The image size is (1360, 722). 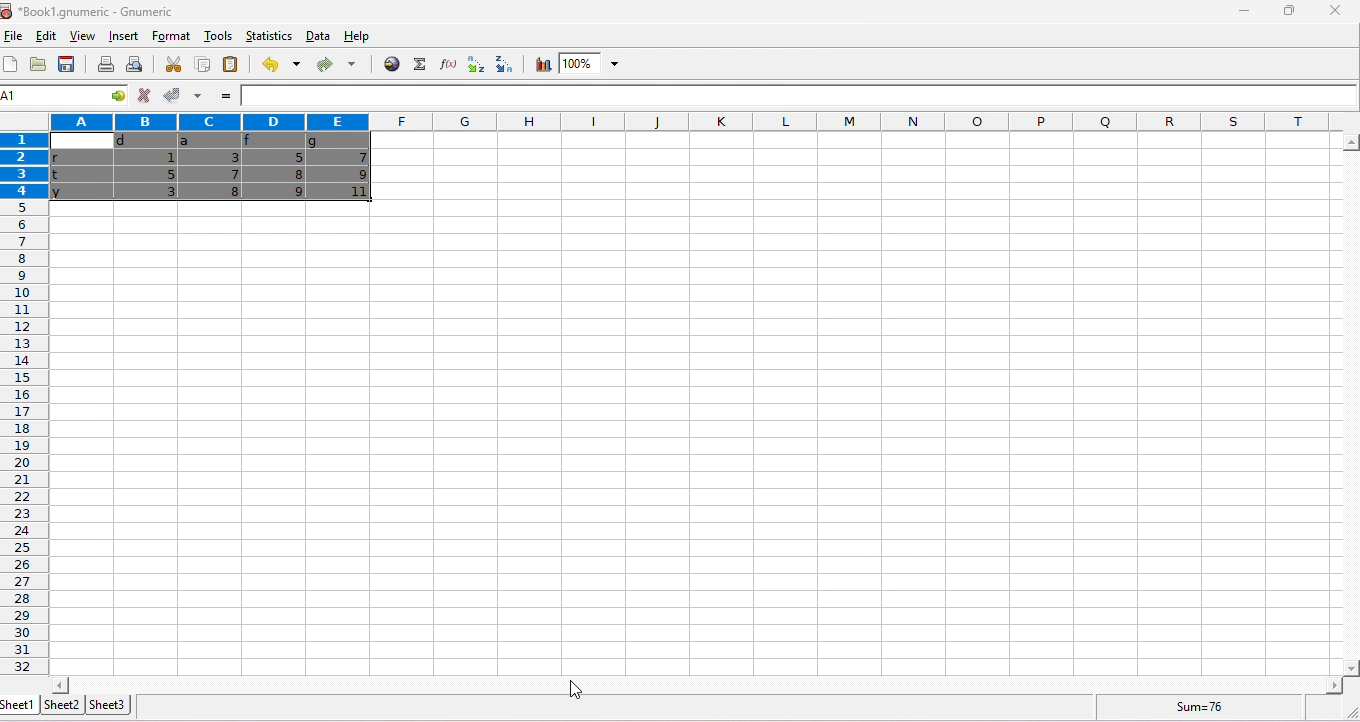 I want to click on chart, so click(x=541, y=65).